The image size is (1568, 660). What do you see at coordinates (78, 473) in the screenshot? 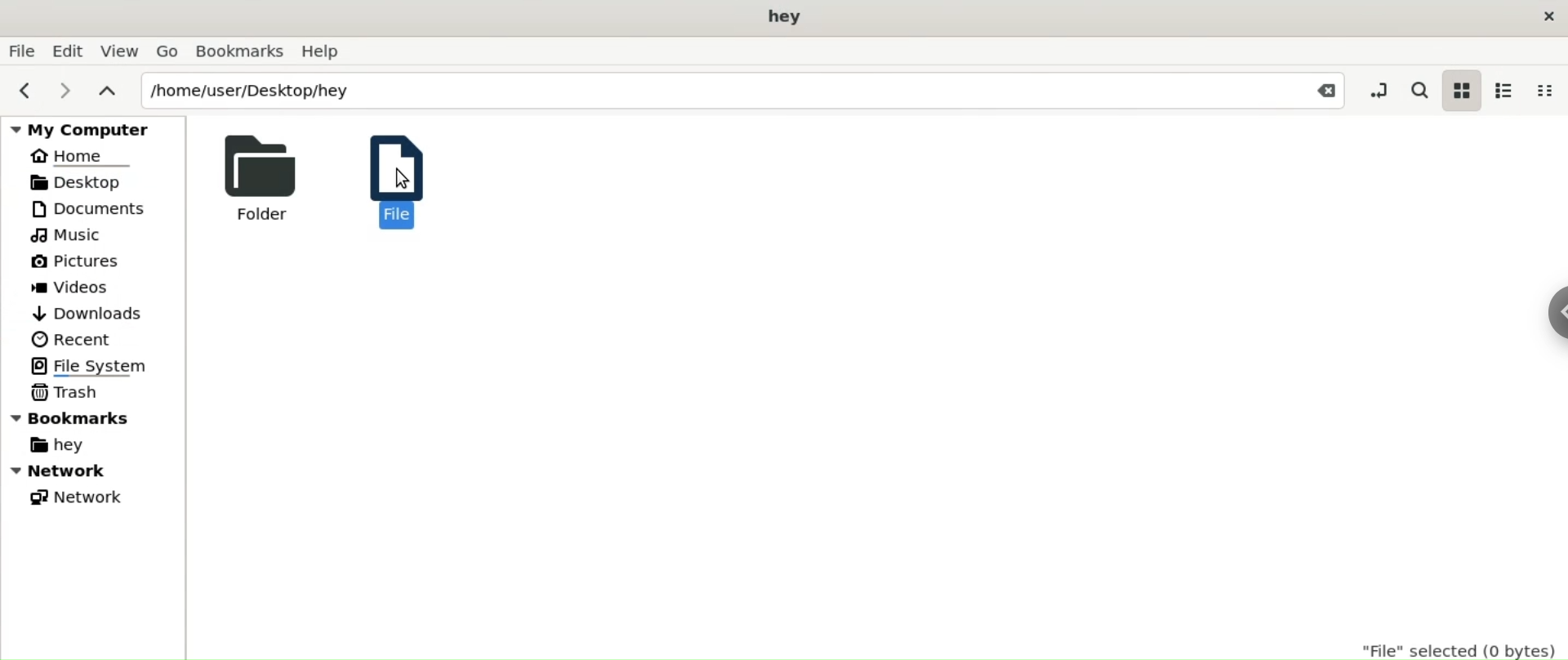
I see `Network` at bounding box center [78, 473].